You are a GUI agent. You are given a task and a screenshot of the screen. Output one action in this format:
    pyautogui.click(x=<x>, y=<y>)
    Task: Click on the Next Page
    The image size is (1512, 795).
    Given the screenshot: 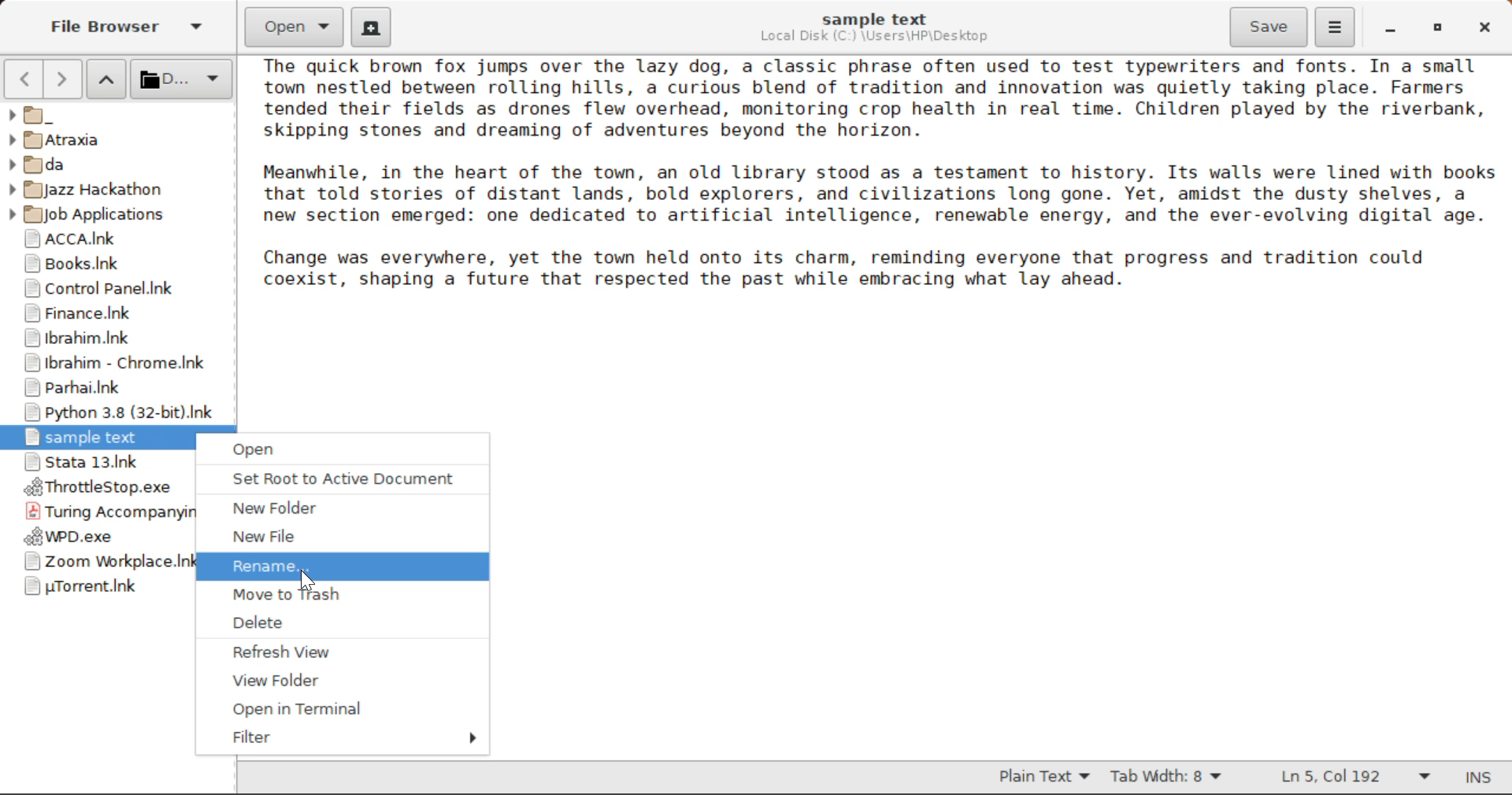 What is the action you would take?
    pyautogui.click(x=65, y=79)
    